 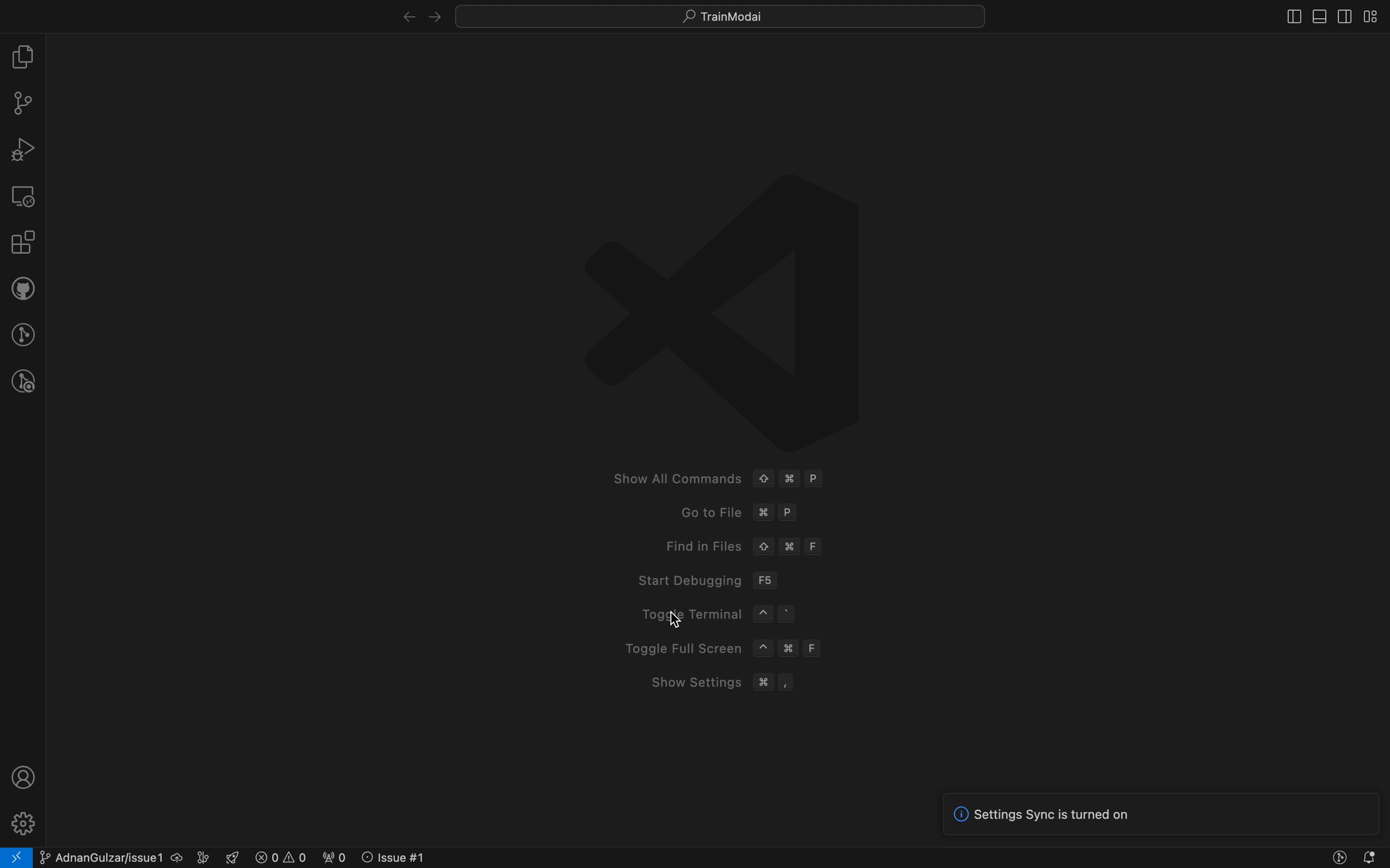 What do you see at coordinates (22, 102) in the screenshot?
I see `git` at bounding box center [22, 102].